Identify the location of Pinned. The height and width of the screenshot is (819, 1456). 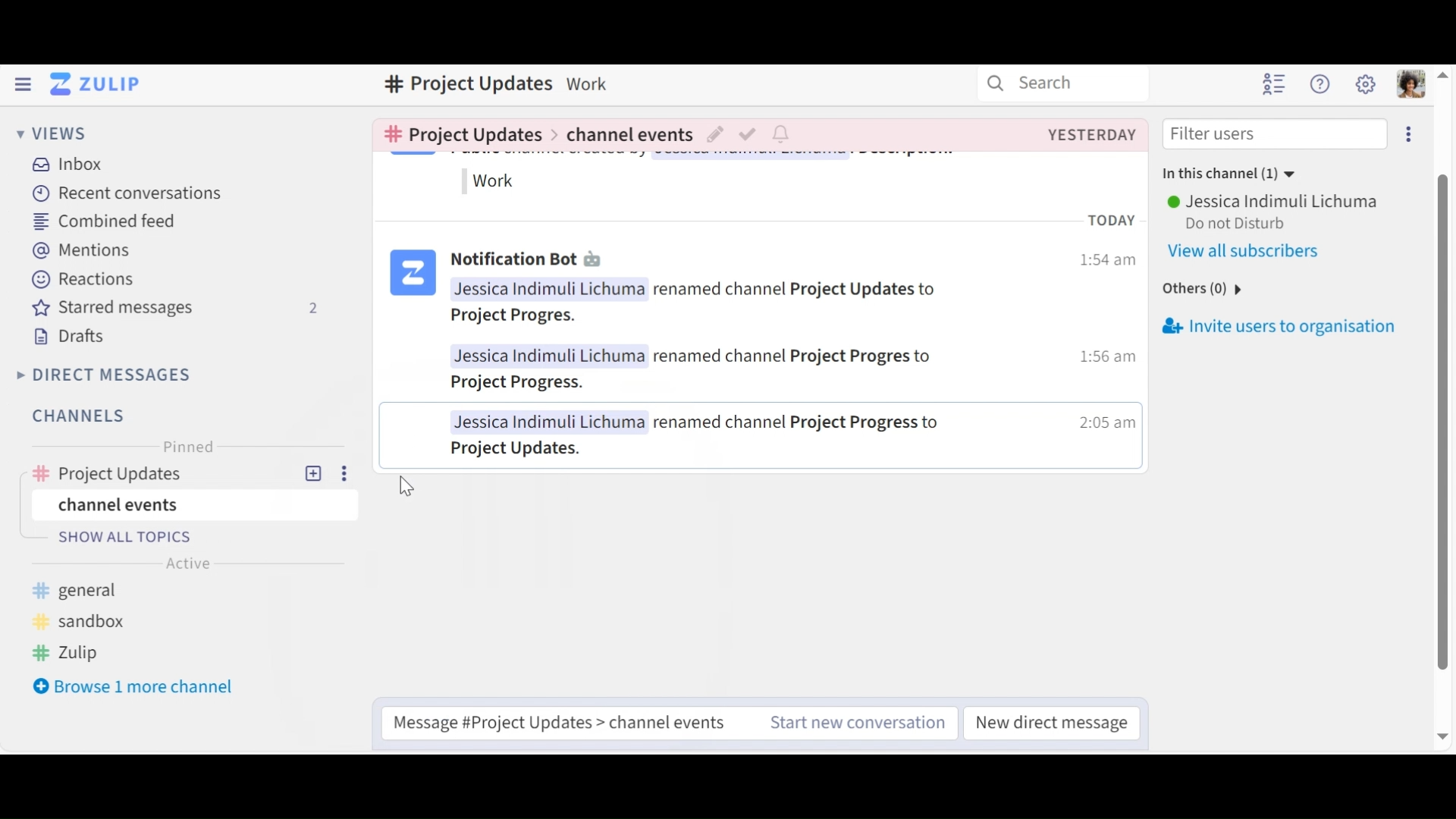
(186, 445).